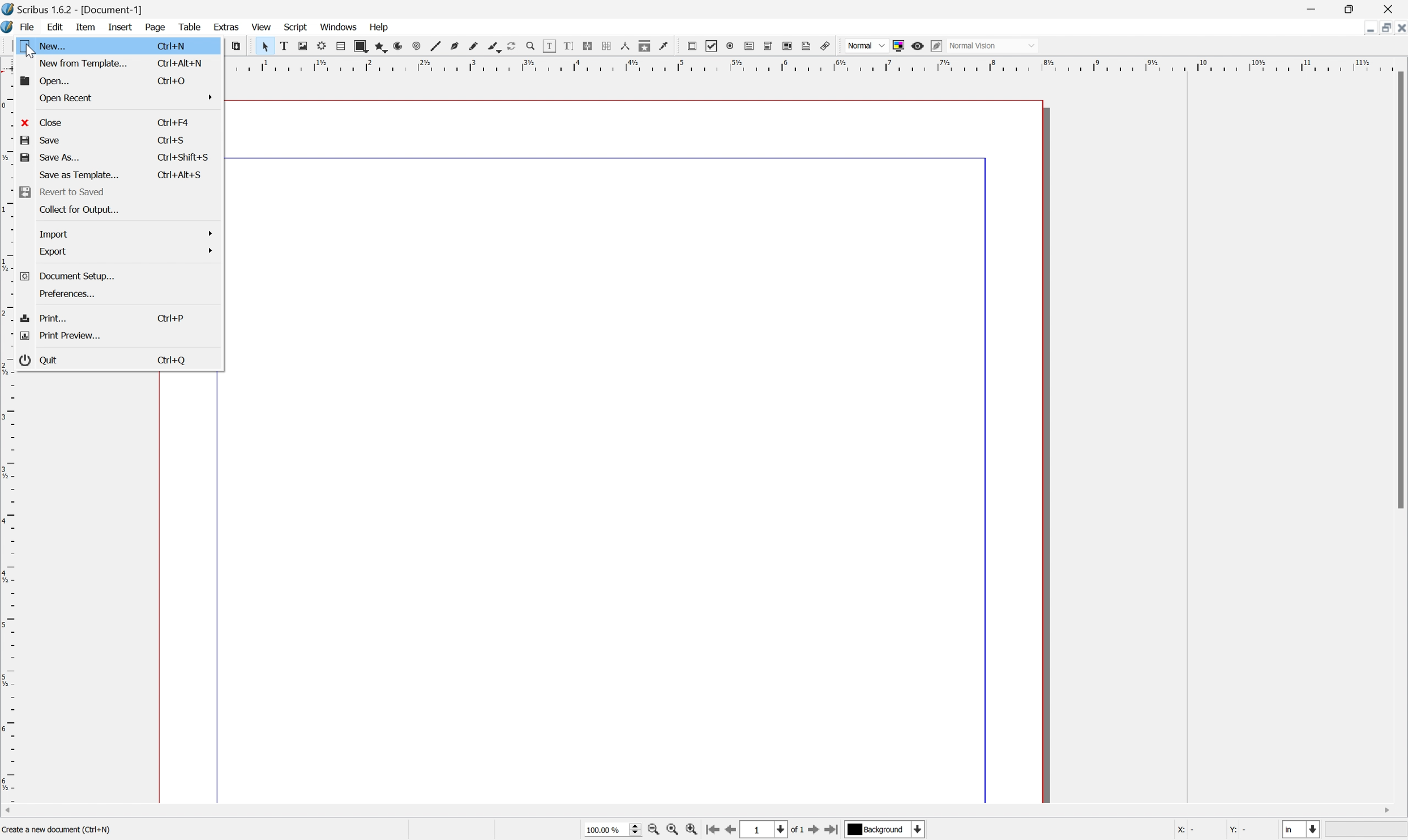 The image size is (1408, 840). Describe the element at coordinates (609, 47) in the screenshot. I see `Unlink text frames` at that location.